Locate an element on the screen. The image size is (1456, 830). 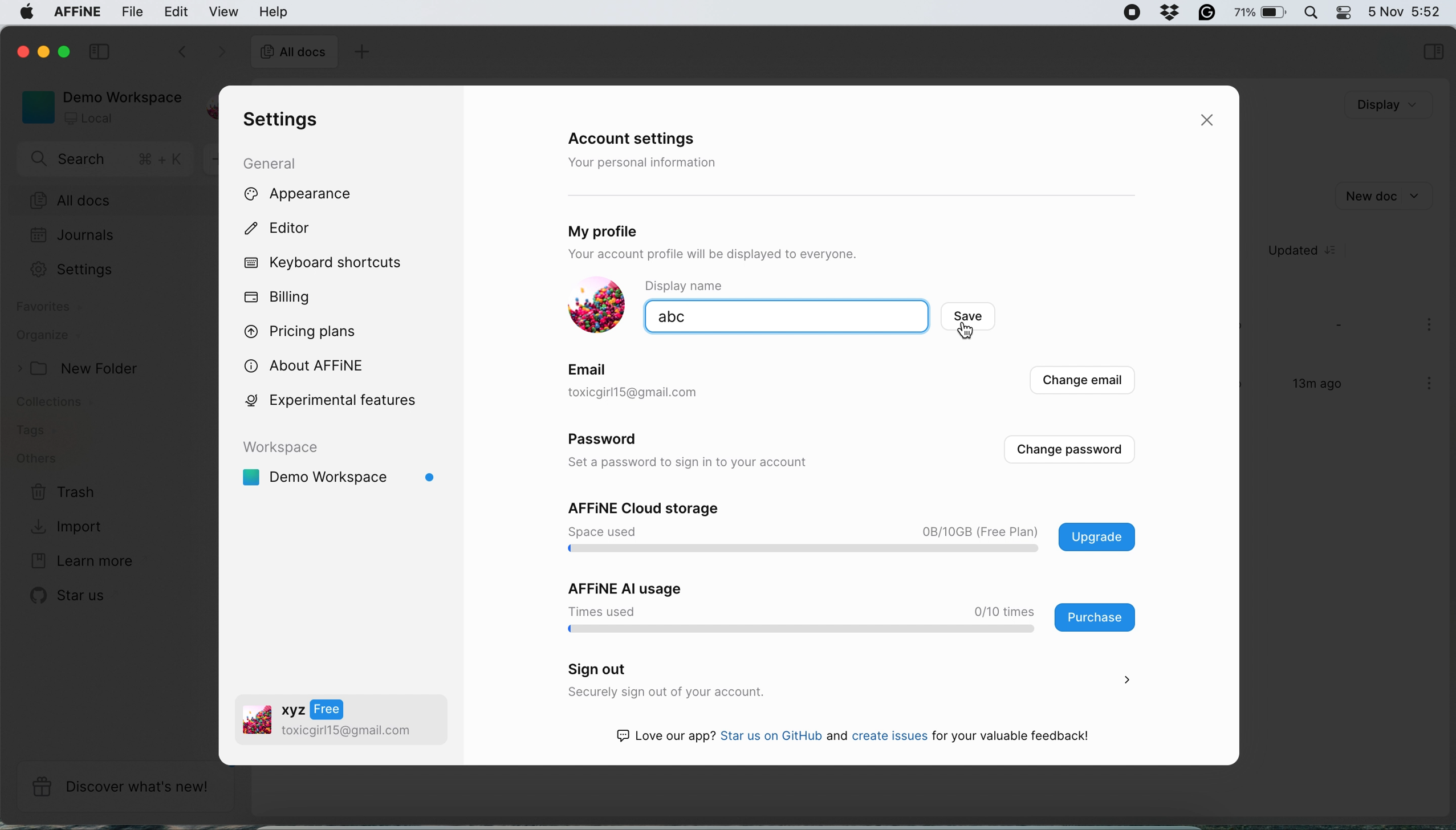
trash is located at coordinates (64, 493).